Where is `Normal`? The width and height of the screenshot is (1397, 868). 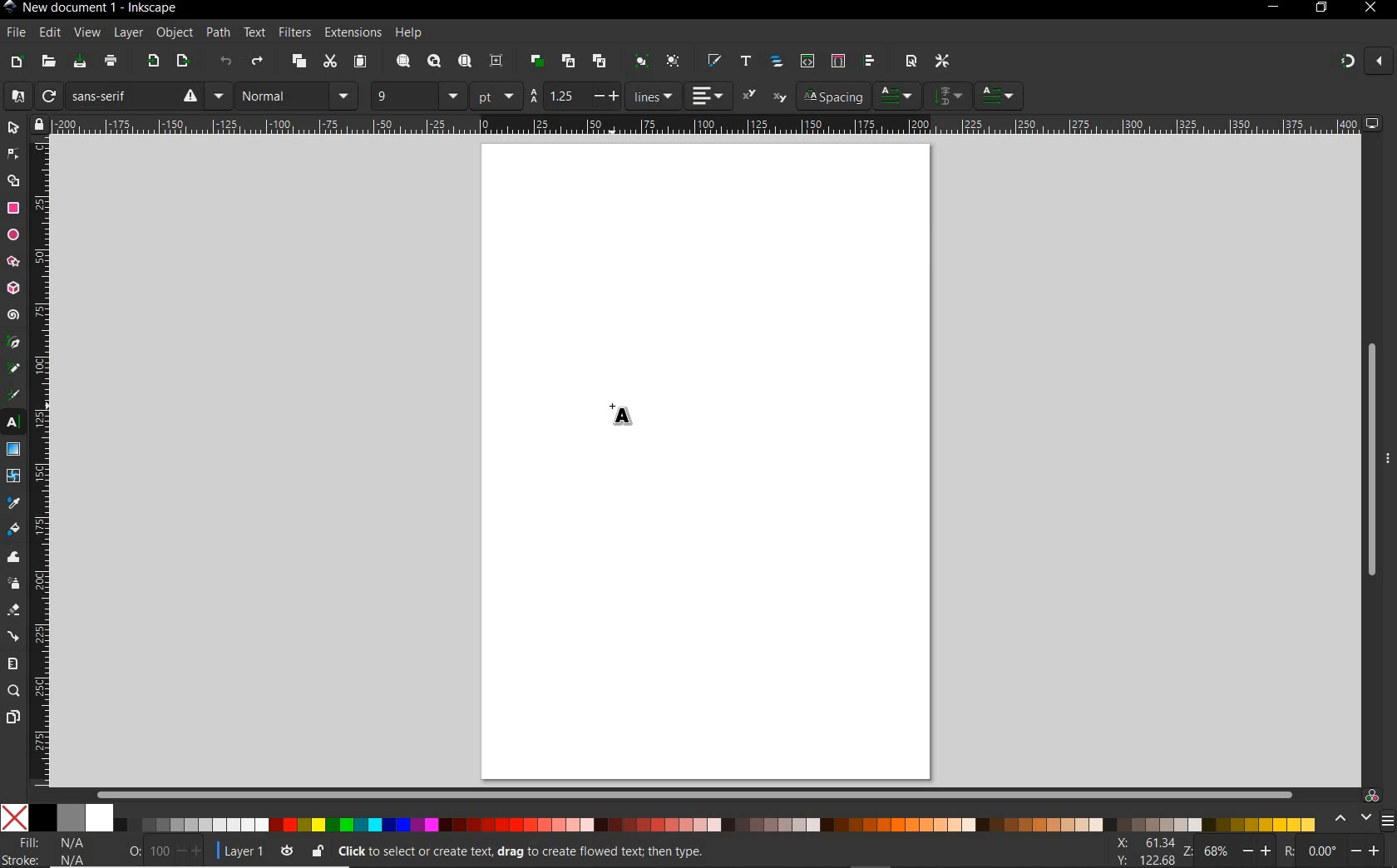
Normal is located at coordinates (281, 96).